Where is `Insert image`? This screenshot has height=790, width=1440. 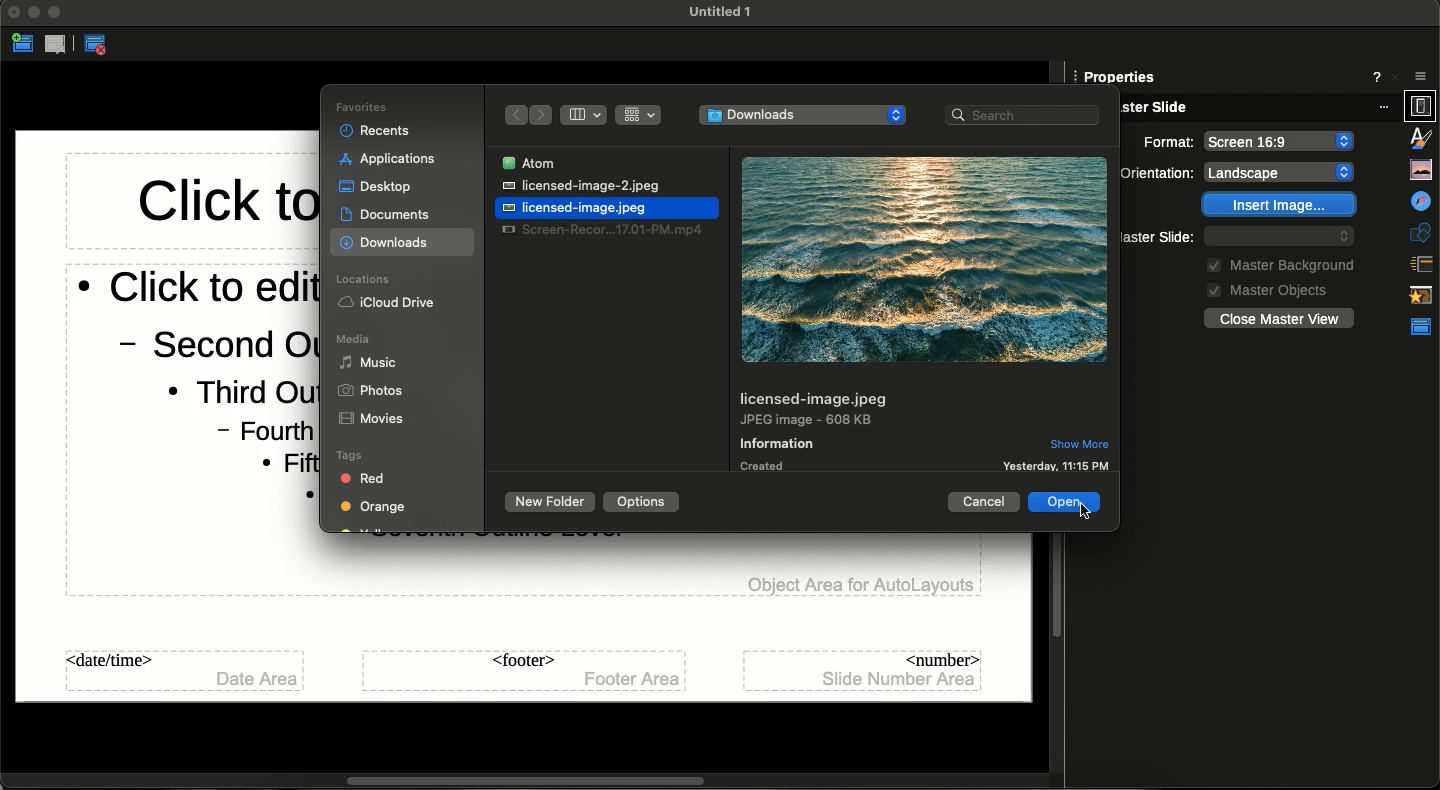
Insert image is located at coordinates (1280, 205).